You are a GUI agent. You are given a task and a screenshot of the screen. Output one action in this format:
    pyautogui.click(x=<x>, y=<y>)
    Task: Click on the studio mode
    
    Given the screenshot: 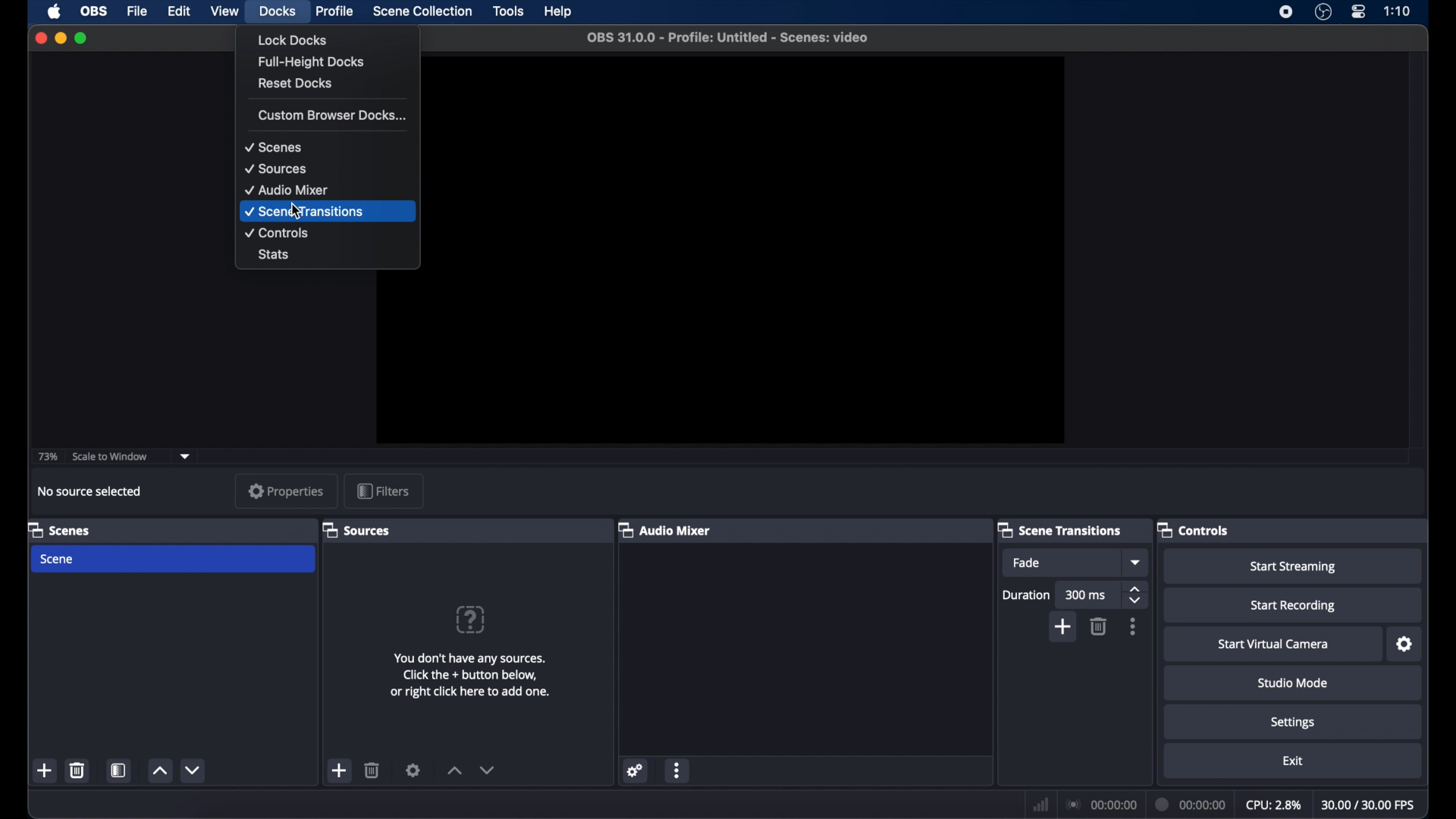 What is the action you would take?
    pyautogui.click(x=1294, y=683)
    